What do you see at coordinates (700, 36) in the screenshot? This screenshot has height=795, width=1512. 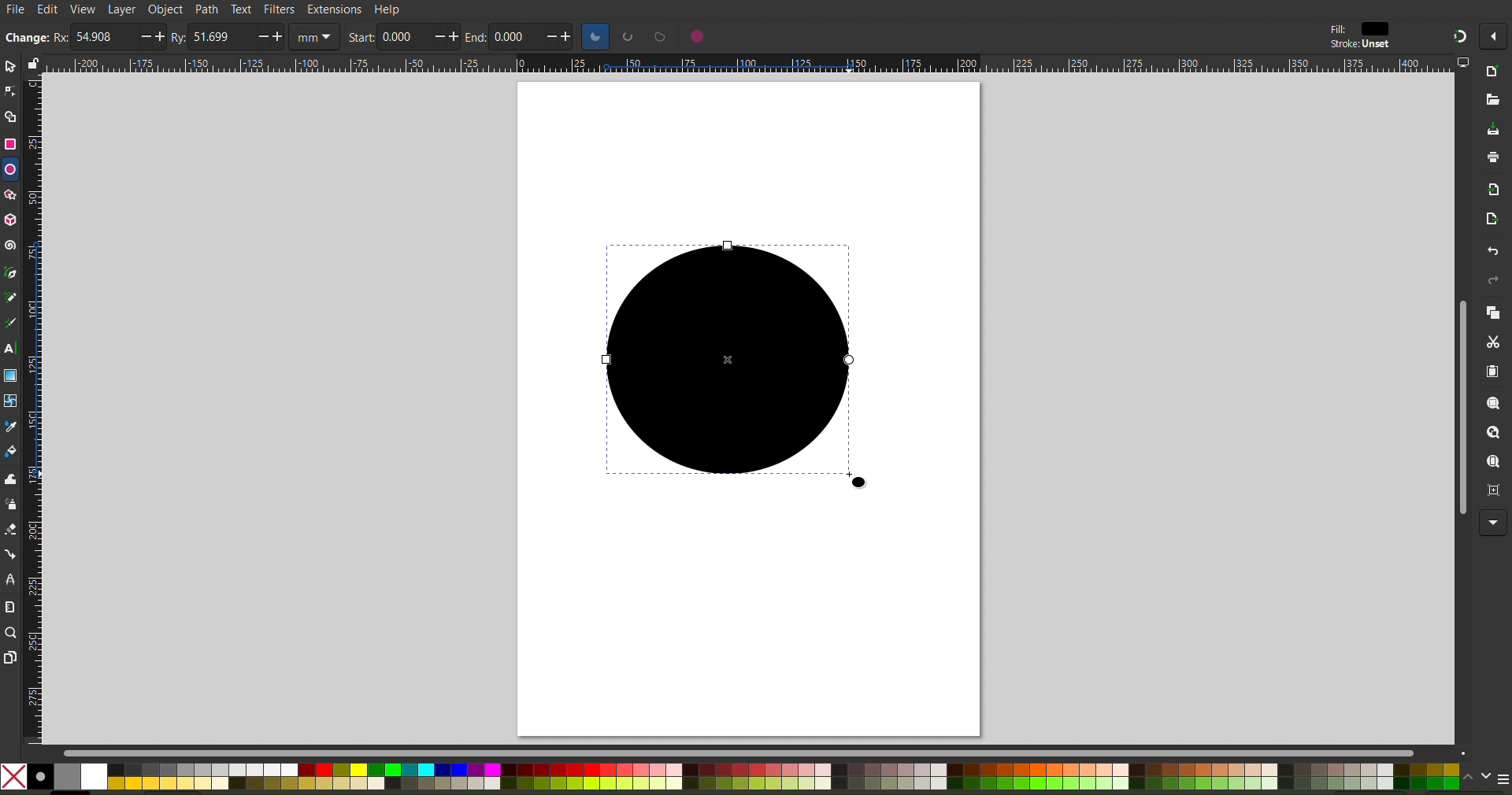 I see `circle options` at bounding box center [700, 36].